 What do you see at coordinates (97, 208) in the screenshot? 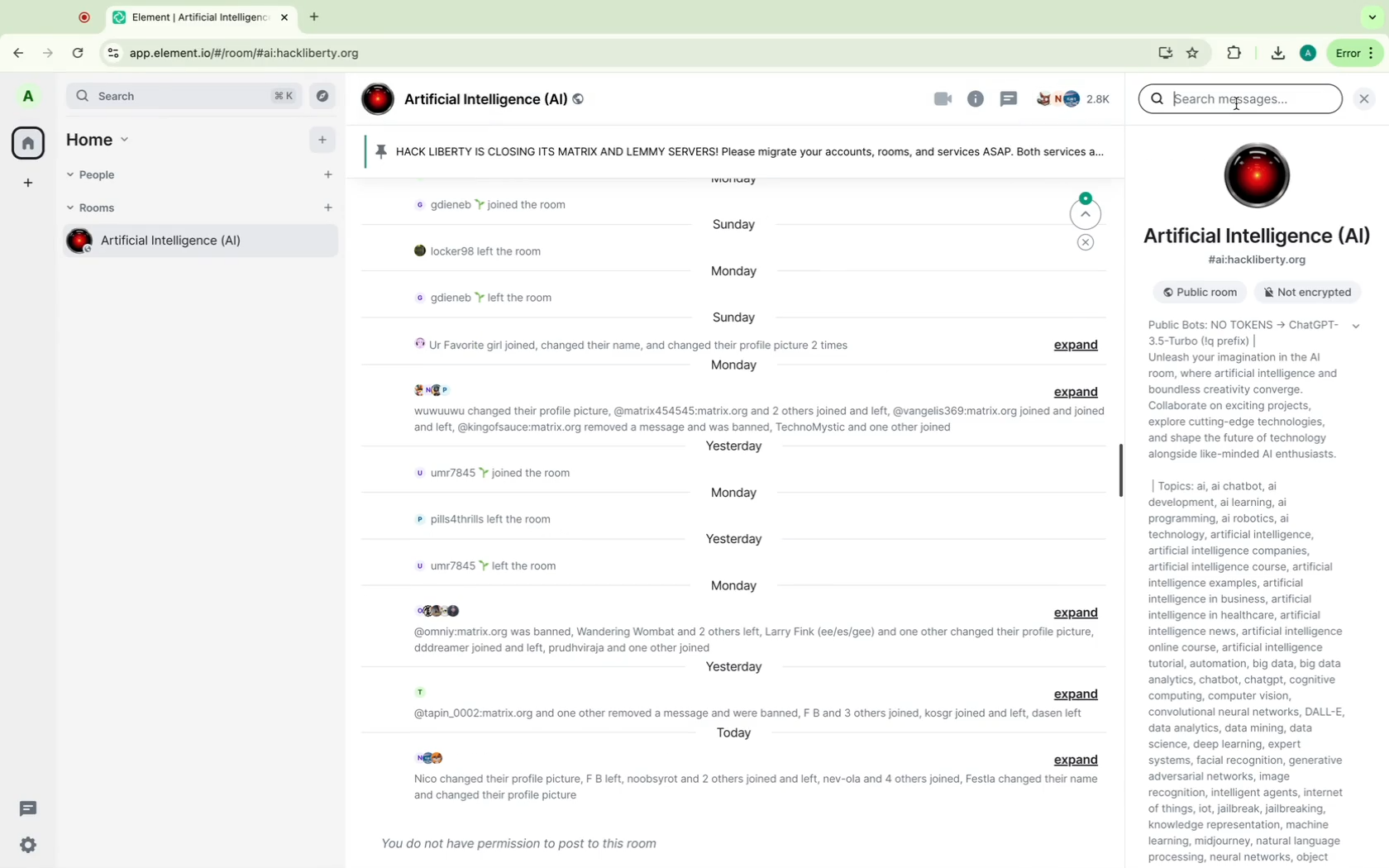
I see `rooms` at bounding box center [97, 208].